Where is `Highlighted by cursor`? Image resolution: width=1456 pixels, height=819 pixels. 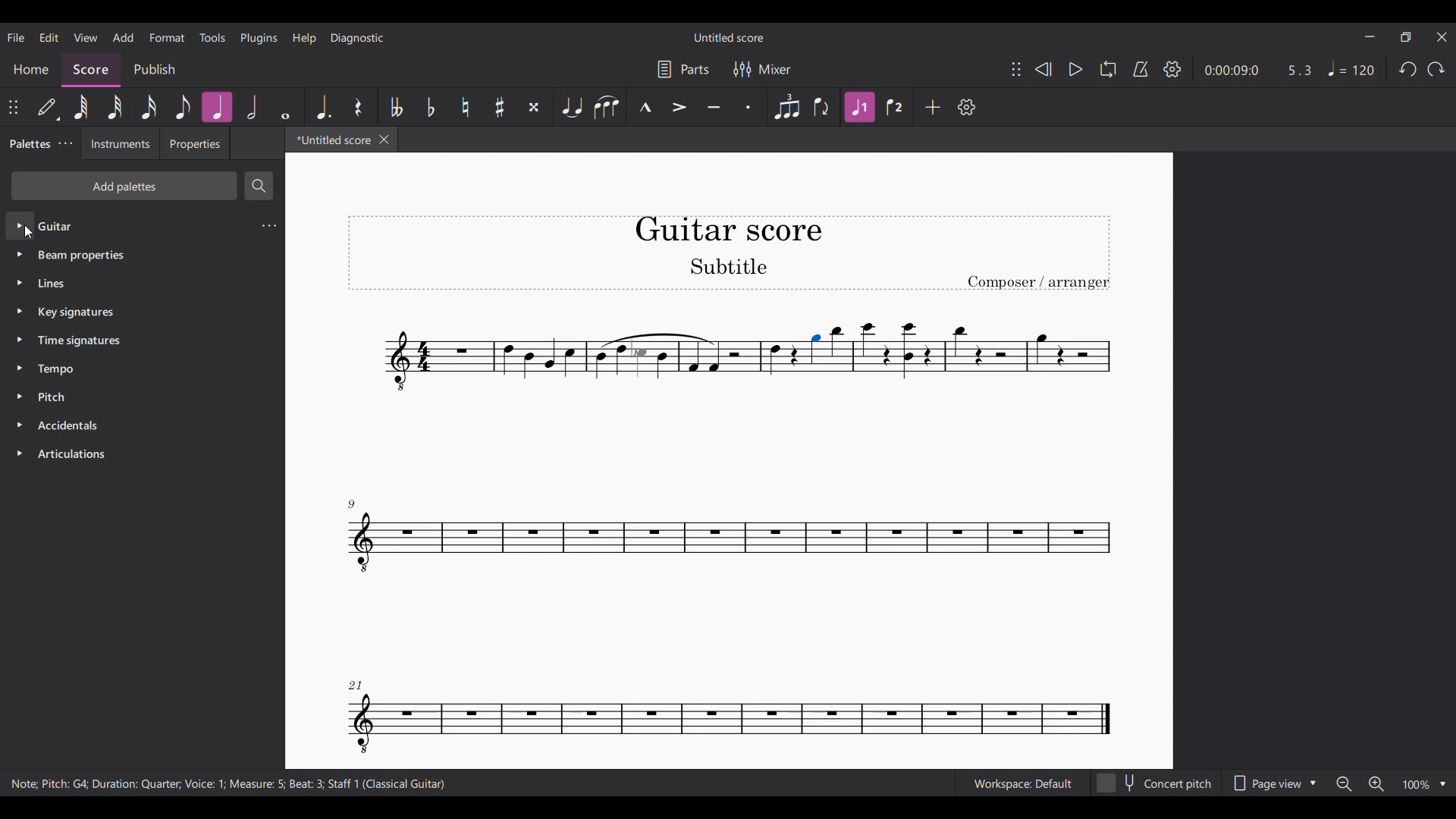
Highlighted by cursor is located at coordinates (814, 350).